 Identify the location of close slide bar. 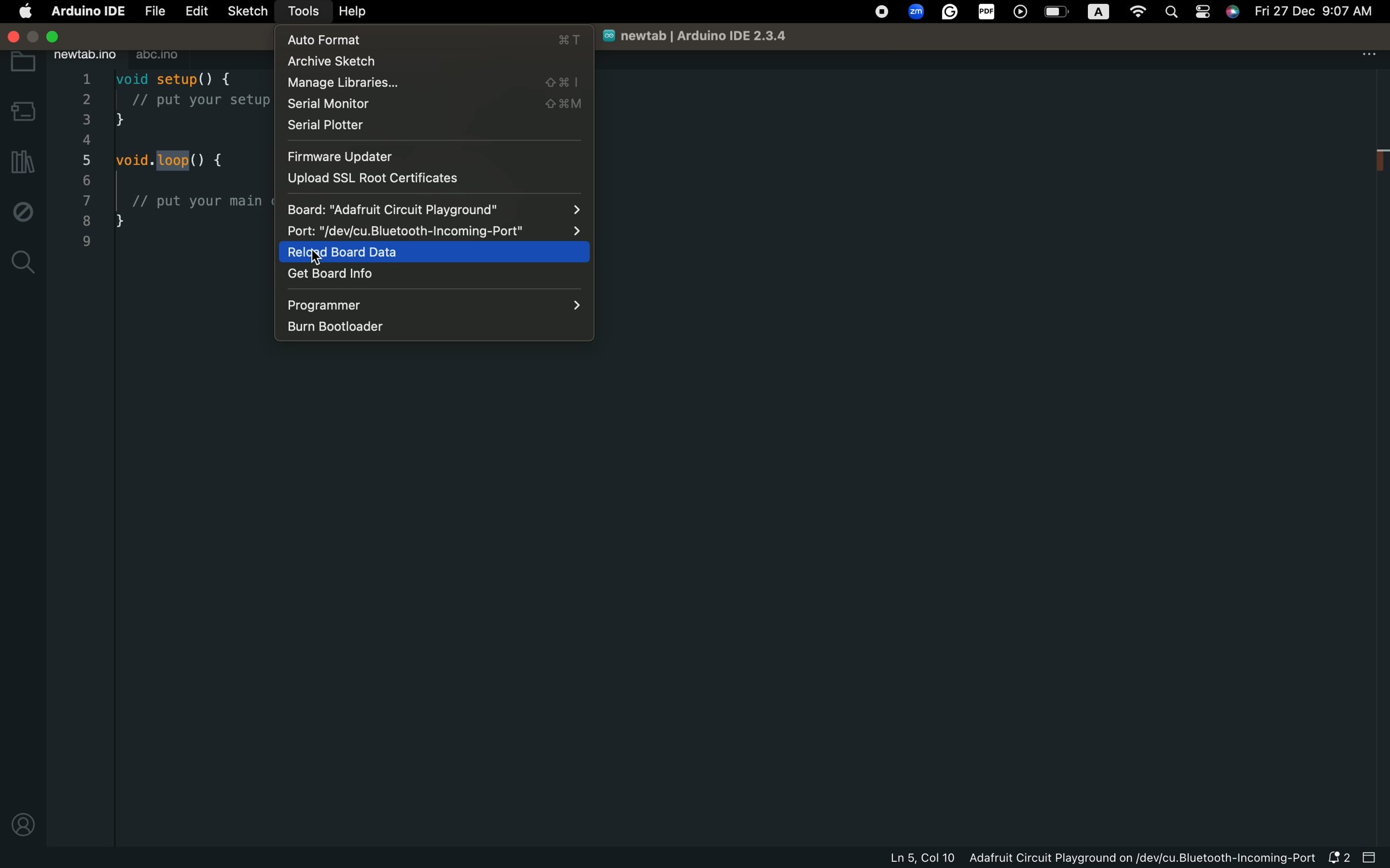
(1369, 857).